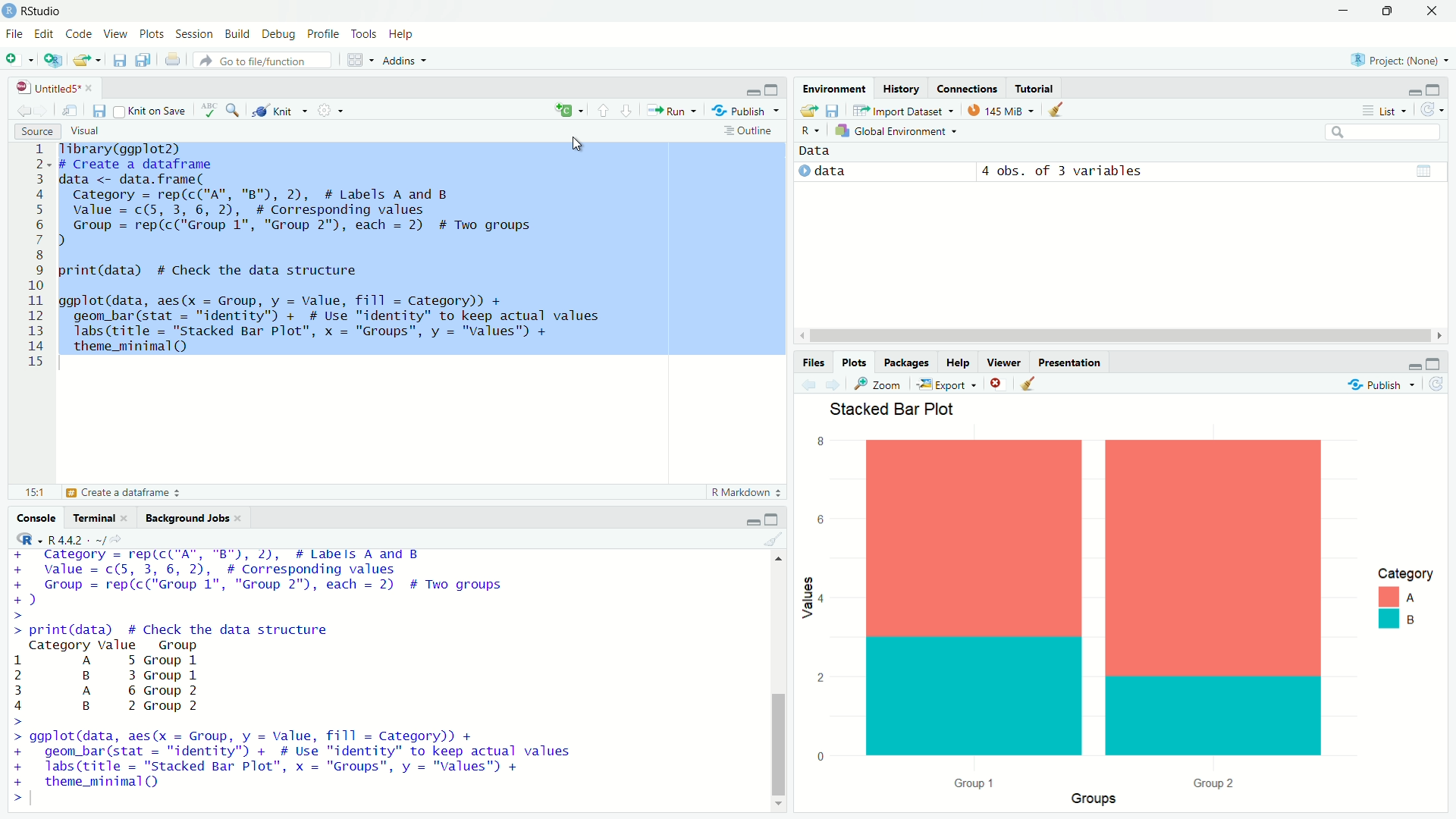  Describe the element at coordinates (152, 110) in the screenshot. I see `Knit on Save` at that location.